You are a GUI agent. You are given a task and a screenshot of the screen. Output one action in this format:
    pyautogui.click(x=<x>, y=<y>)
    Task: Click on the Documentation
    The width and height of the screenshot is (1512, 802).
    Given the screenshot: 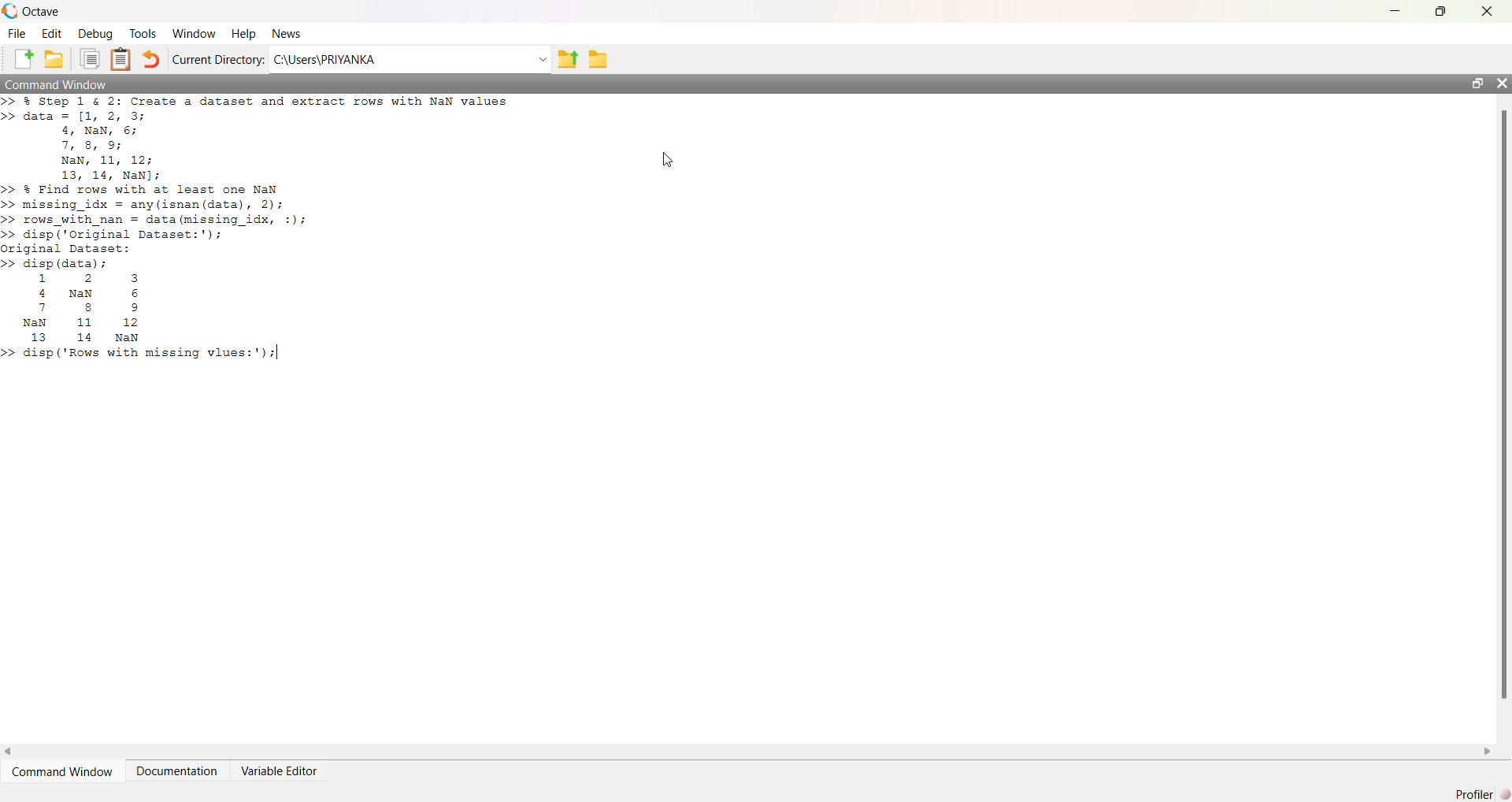 What is the action you would take?
    pyautogui.click(x=176, y=771)
    